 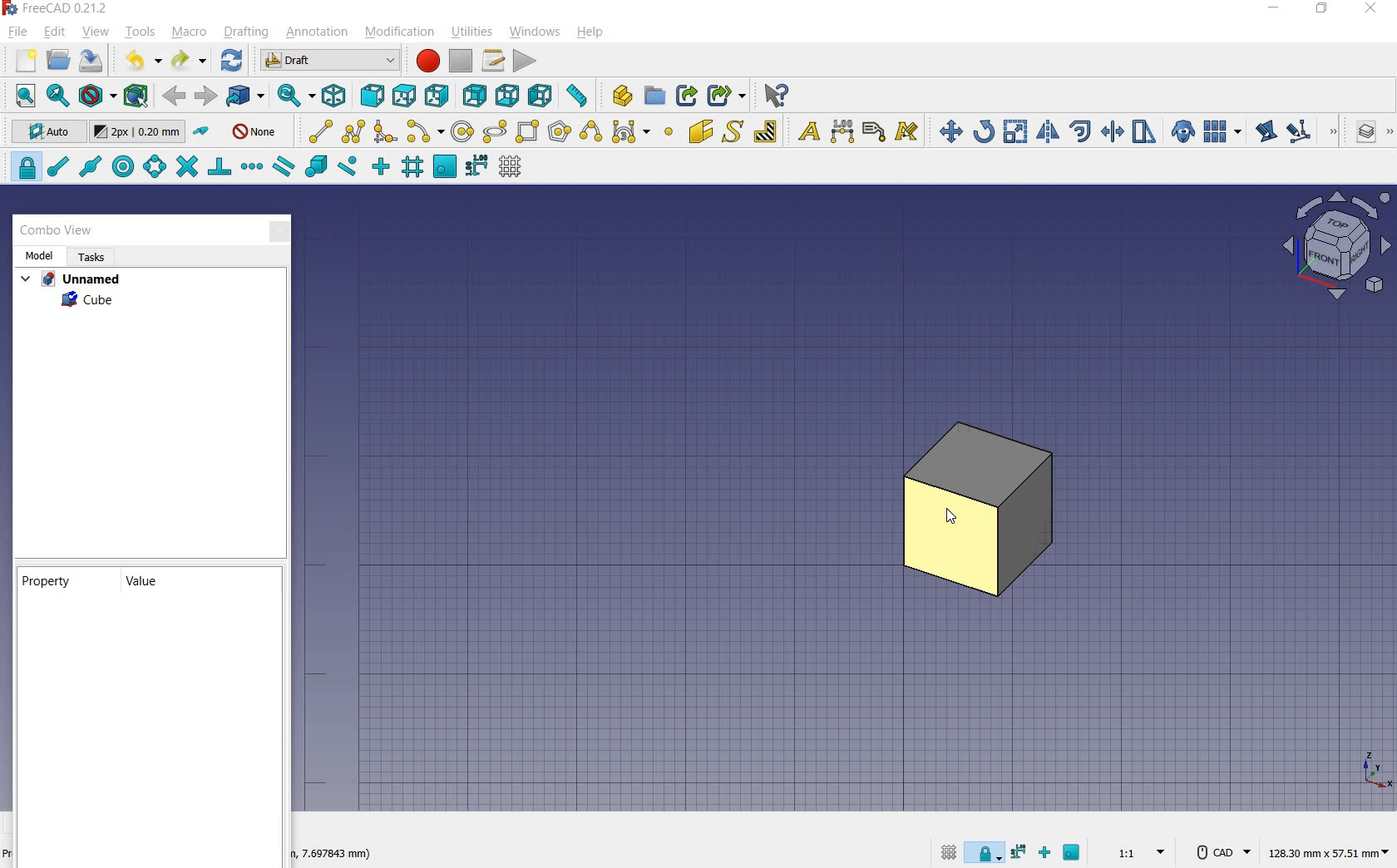 What do you see at coordinates (949, 516) in the screenshot?
I see `cursor` at bounding box center [949, 516].